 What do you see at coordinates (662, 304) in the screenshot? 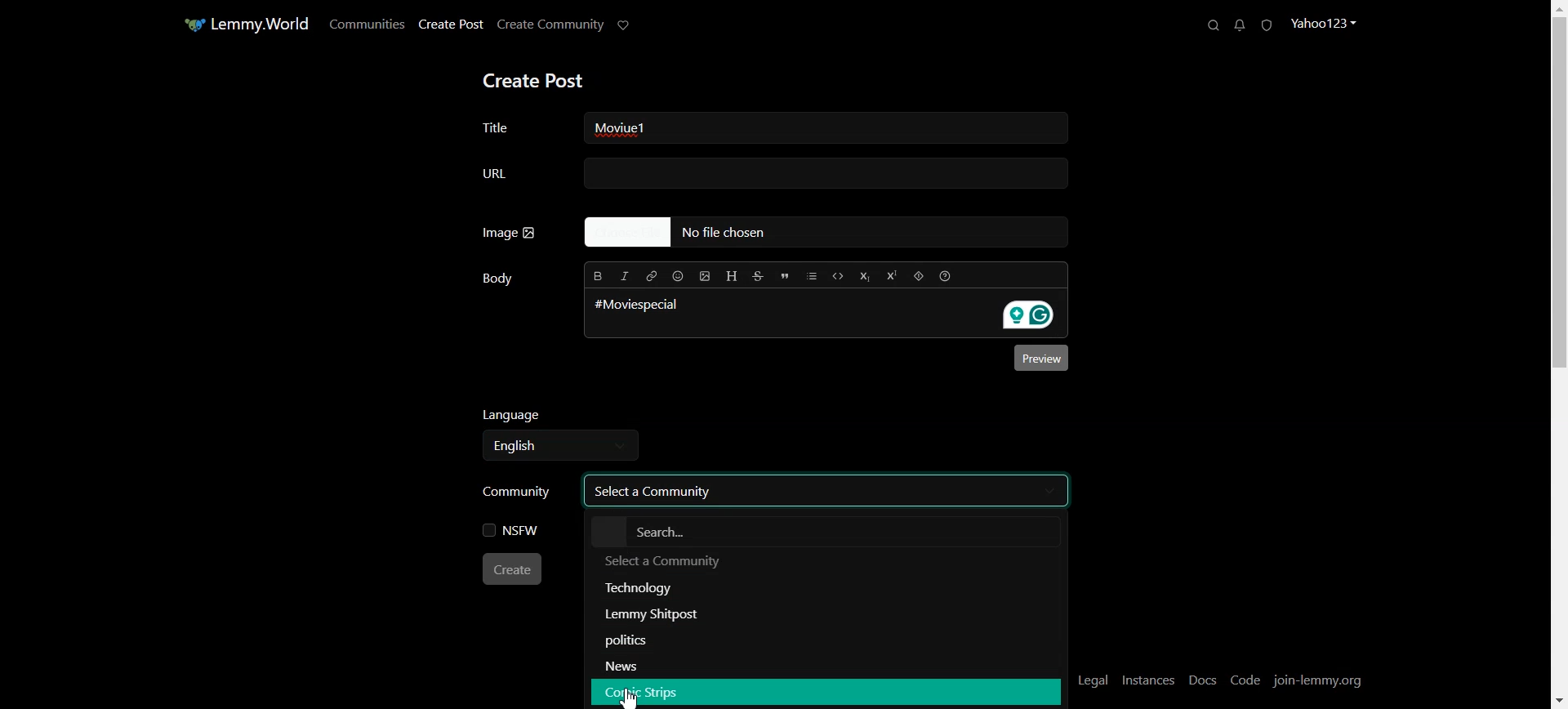
I see `#Moviespecial` at bounding box center [662, 304].